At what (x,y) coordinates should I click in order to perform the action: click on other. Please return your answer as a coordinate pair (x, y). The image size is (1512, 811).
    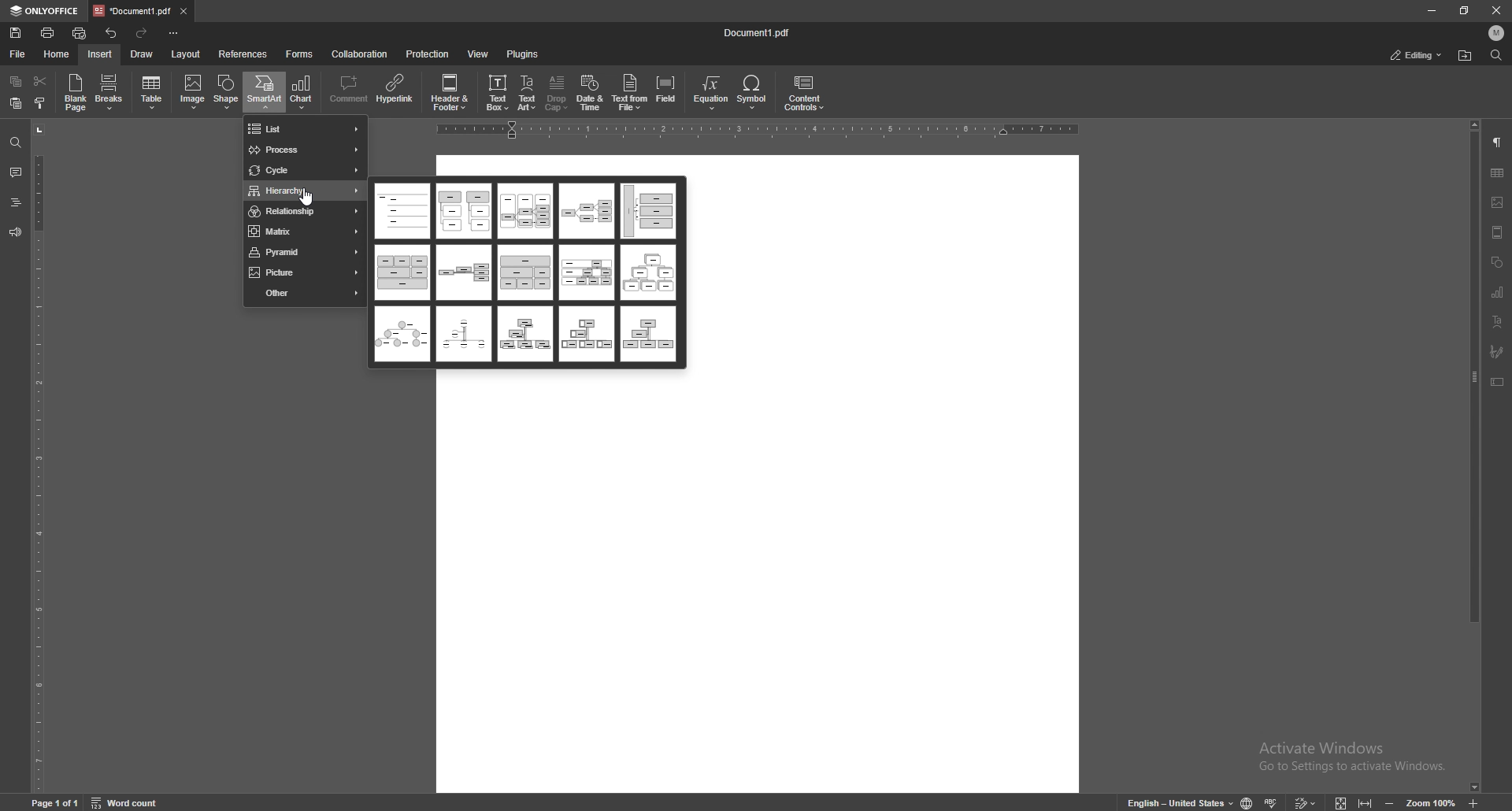
    Looking at the image, I should click on (305, 292).